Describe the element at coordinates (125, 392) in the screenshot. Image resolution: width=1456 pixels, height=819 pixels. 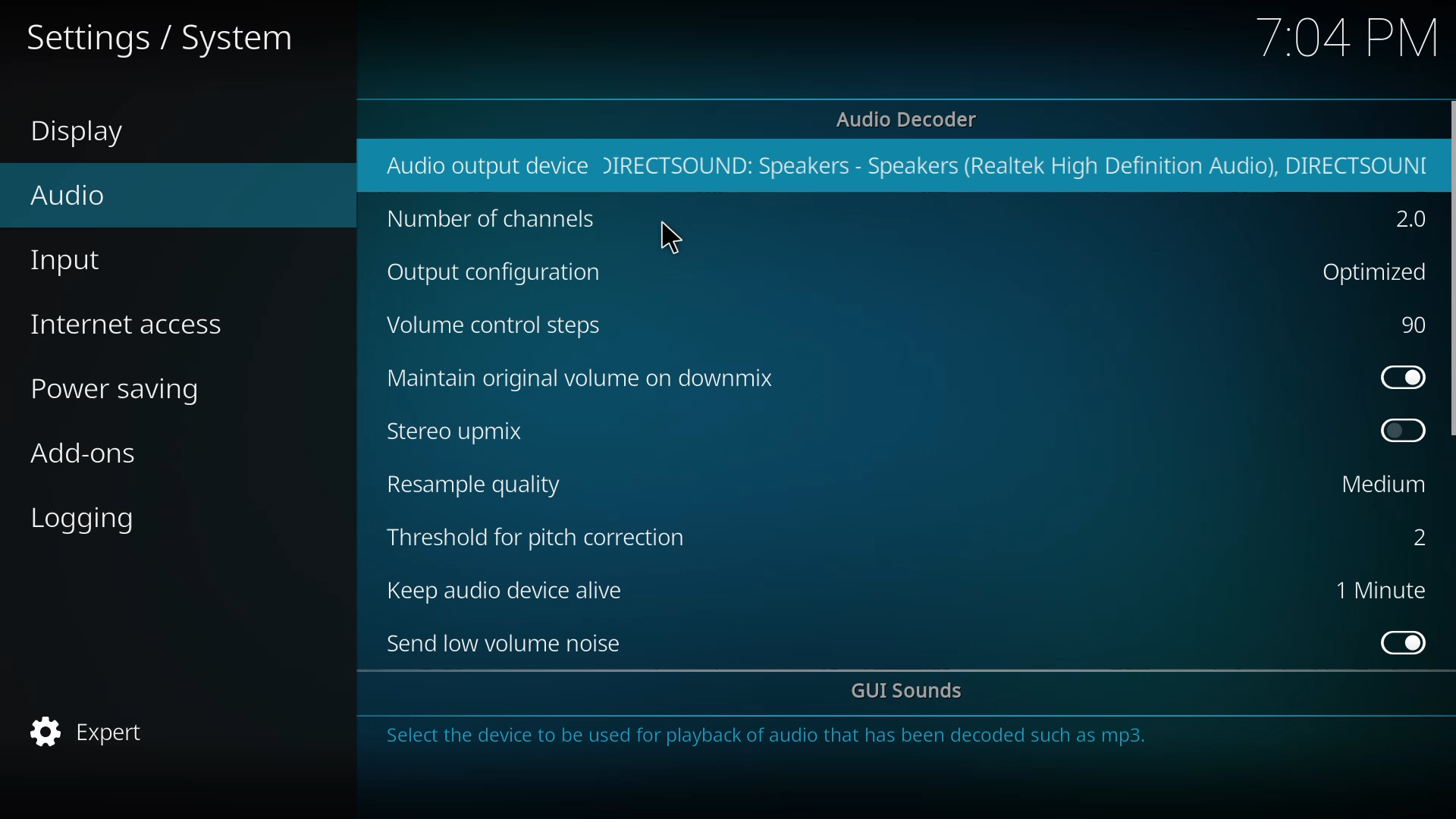
I see `power saving` at that location.